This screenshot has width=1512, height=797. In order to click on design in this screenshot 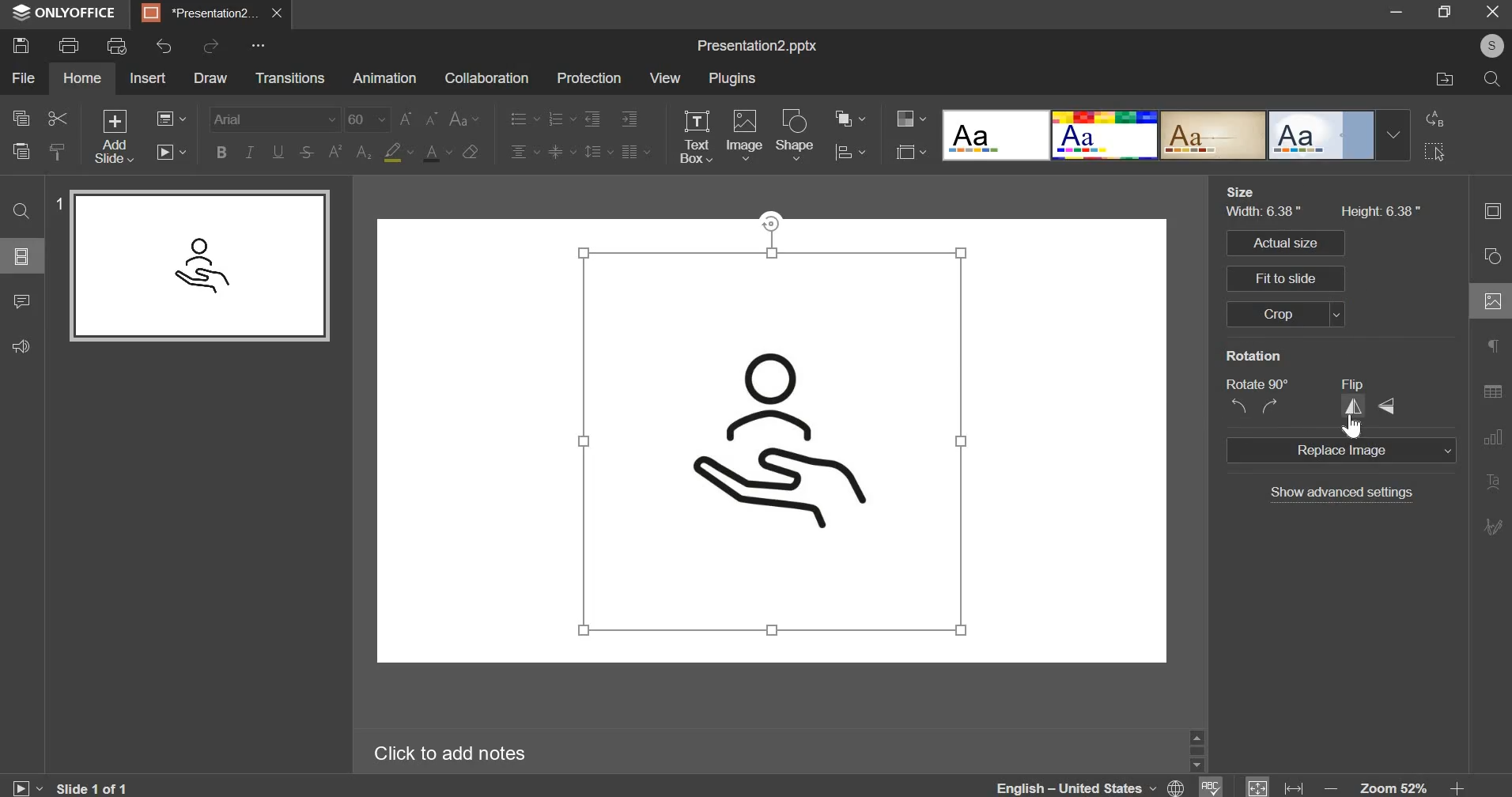, I will do `click(1177, 136)`.